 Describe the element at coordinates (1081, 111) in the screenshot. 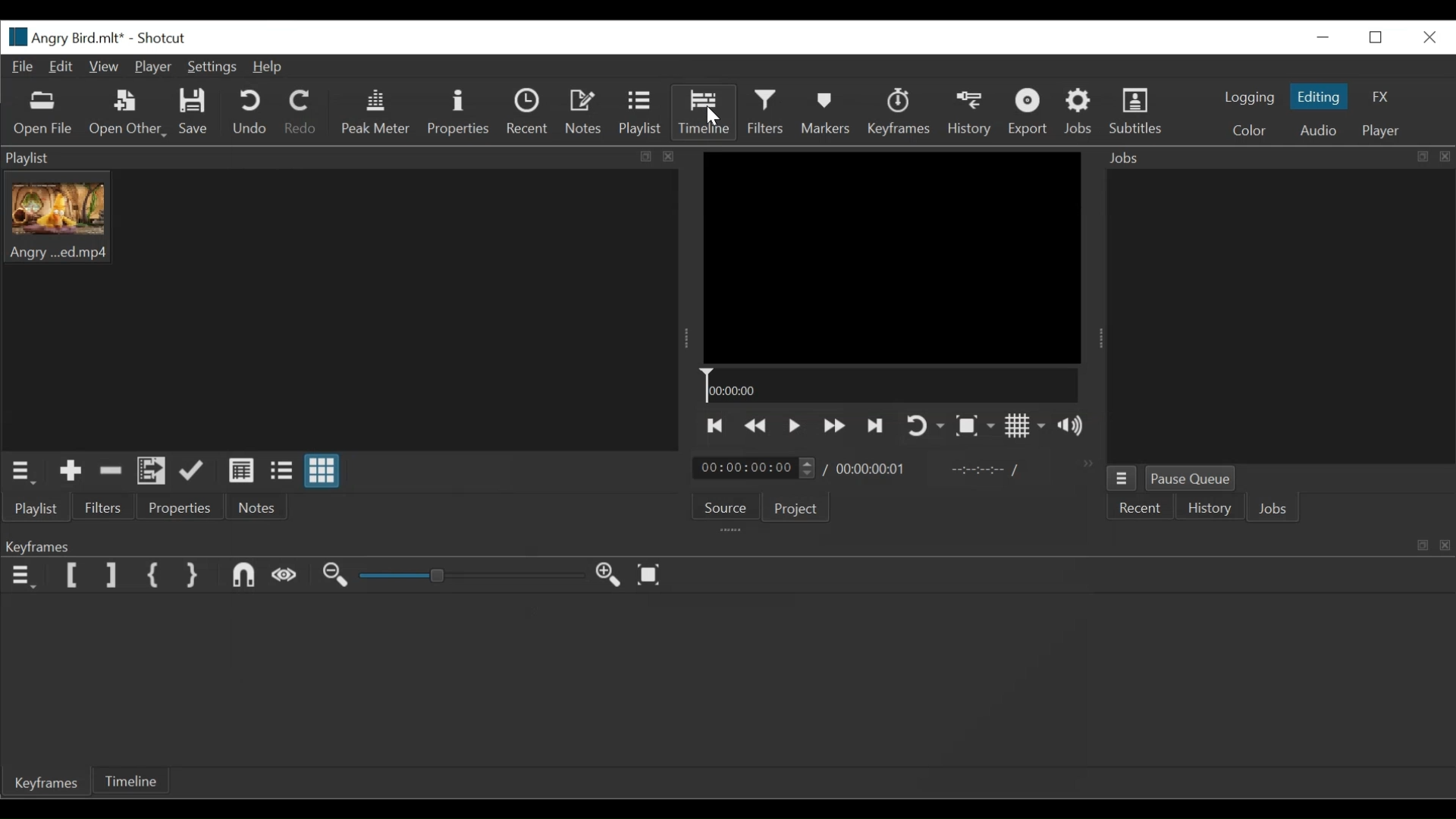

I see `Jobs` at that location.